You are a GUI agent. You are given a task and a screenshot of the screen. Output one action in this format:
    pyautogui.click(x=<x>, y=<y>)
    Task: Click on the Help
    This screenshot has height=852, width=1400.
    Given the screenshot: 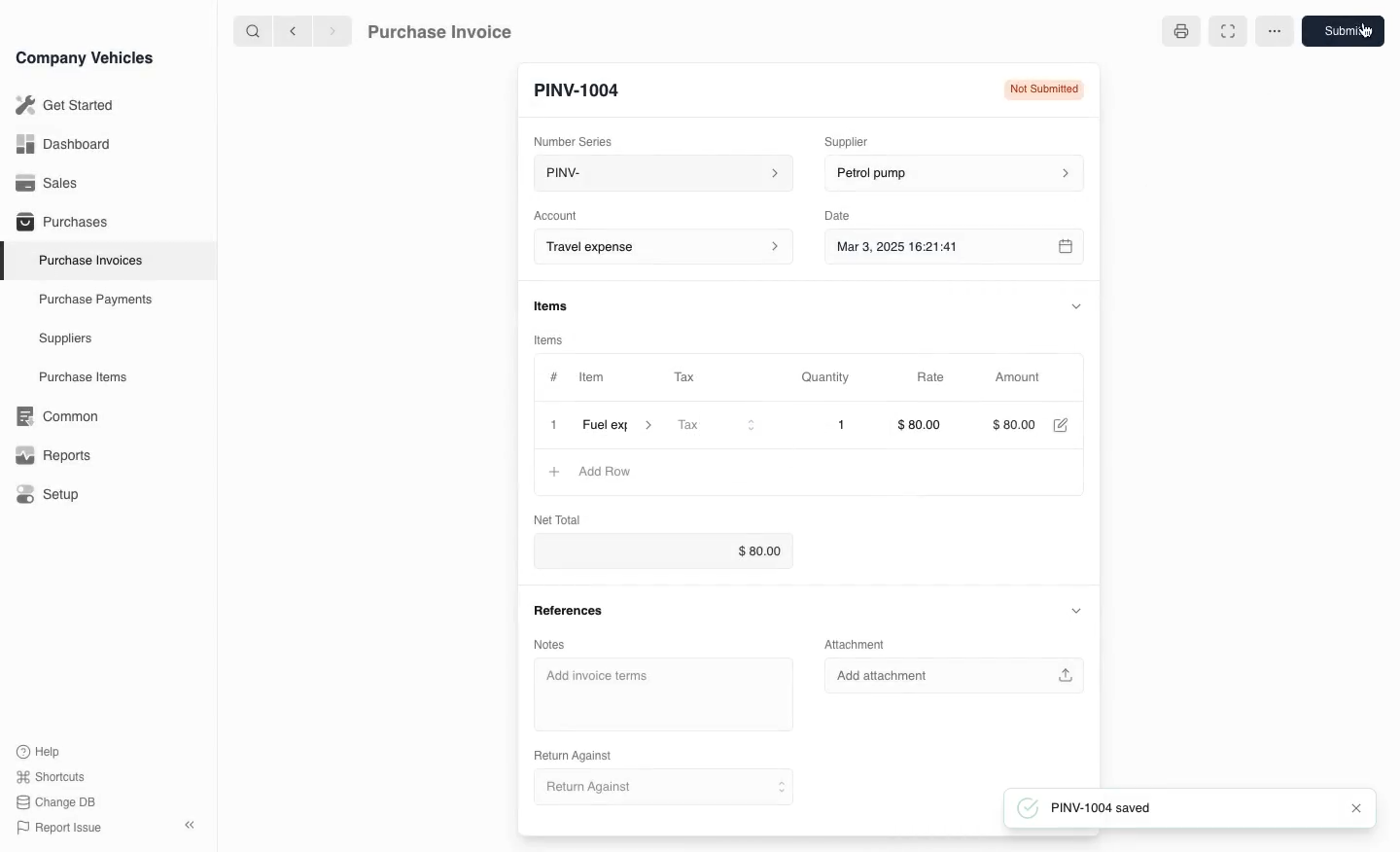 What is the action you would take?
    pyautogui.click(x=43, y=751)
    